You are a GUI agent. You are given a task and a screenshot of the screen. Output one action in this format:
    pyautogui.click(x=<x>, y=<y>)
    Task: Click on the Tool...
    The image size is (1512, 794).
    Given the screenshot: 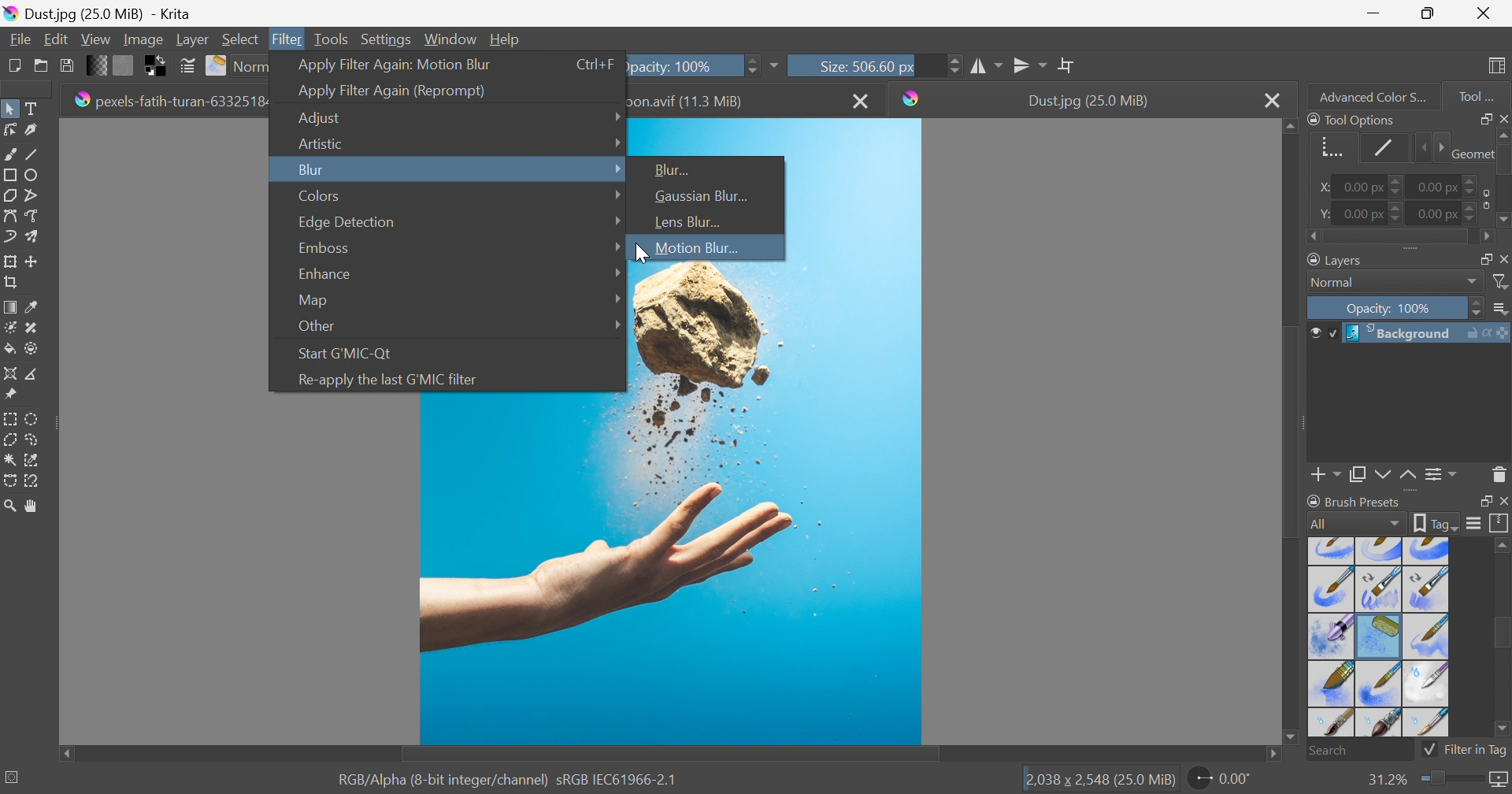 What is the action you would take?
    pyautogui.click(x=1484, y=93)
    